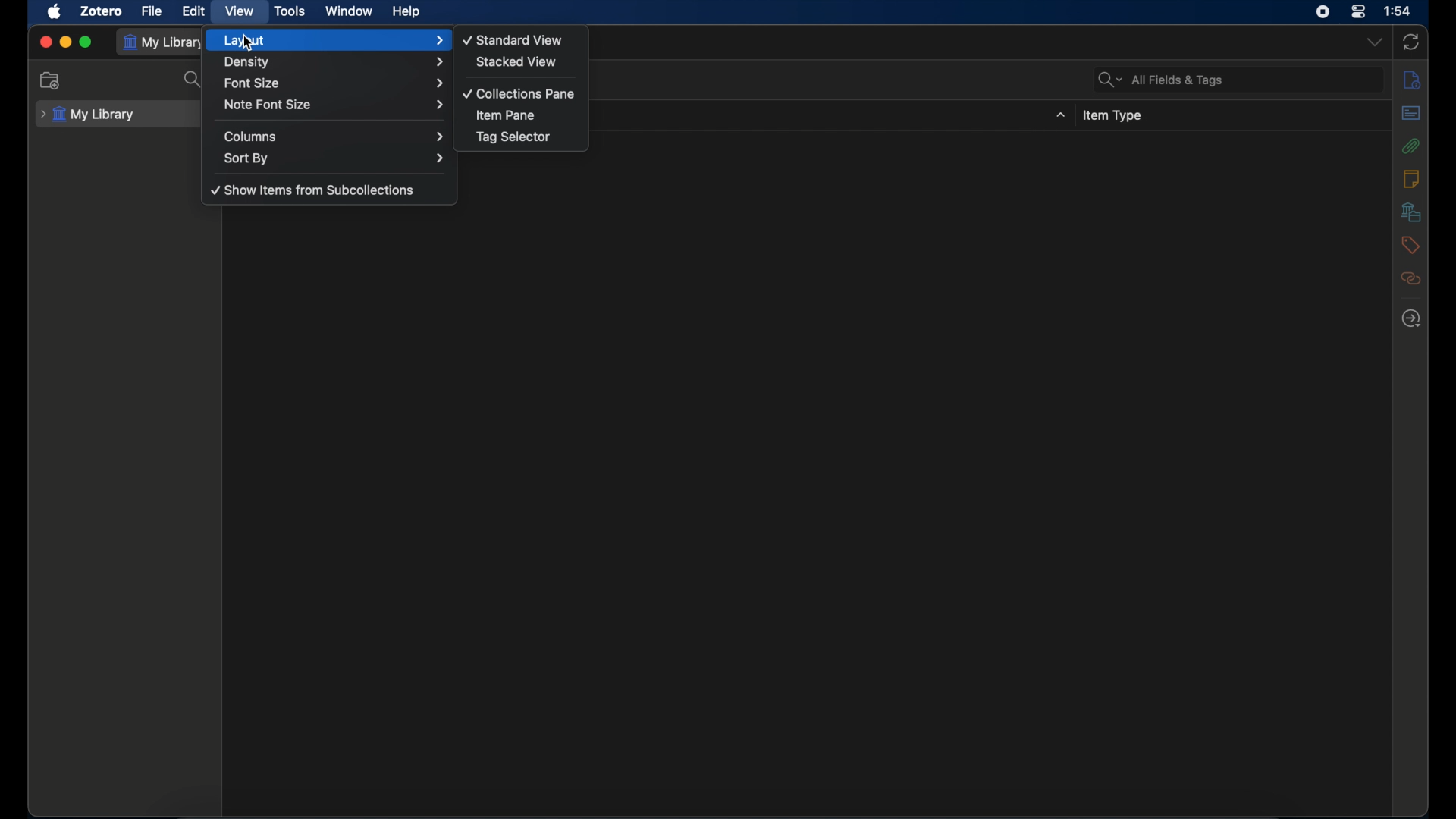 This screenshot has width=1456, height=819. What do you see at coordinates (314, 190) in the screenshot?
I see `show items from  subcollections` at bounding box center [314, 190].